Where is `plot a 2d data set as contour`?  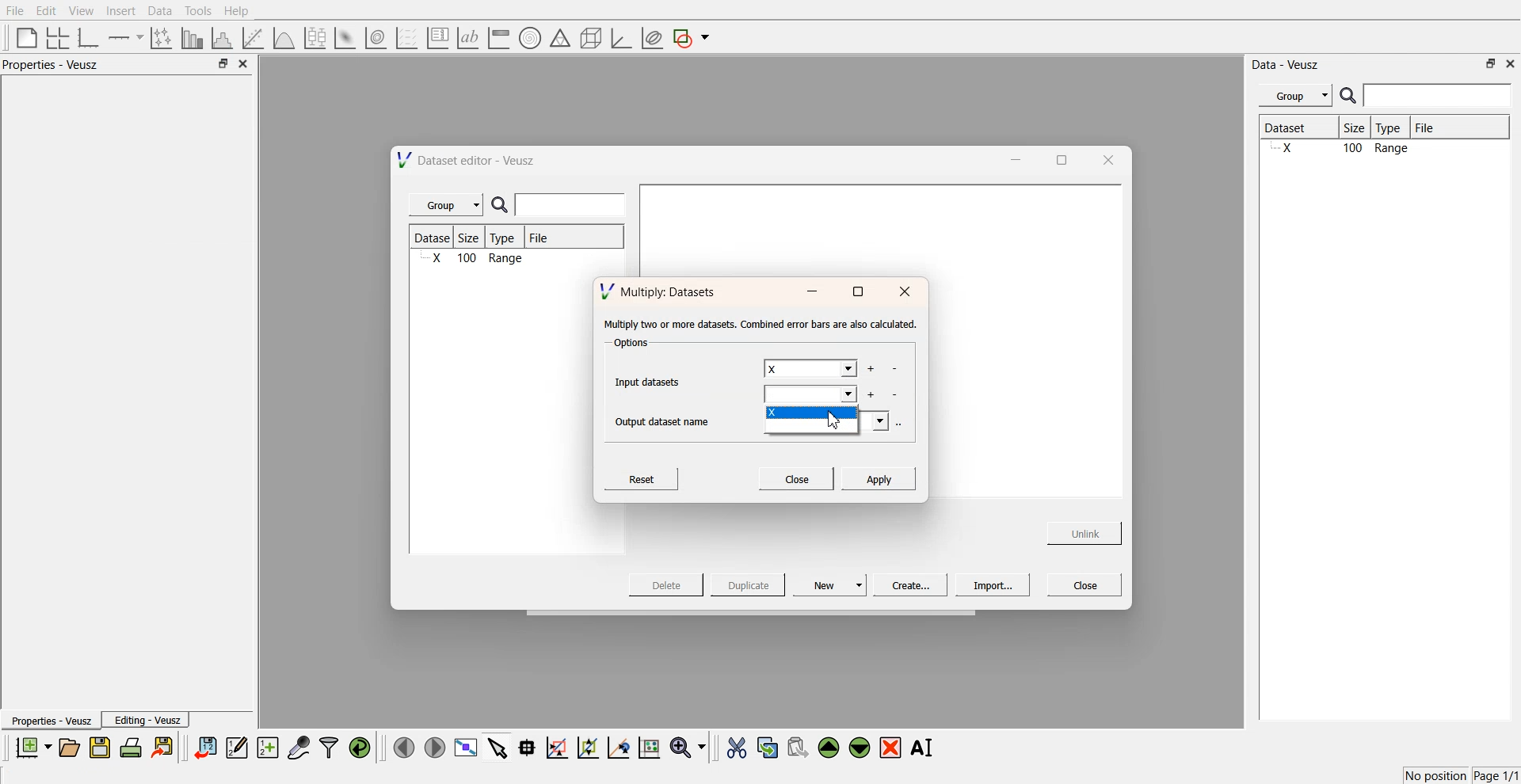
plot a 2d data set as contour is located at coordinates (375, 39).